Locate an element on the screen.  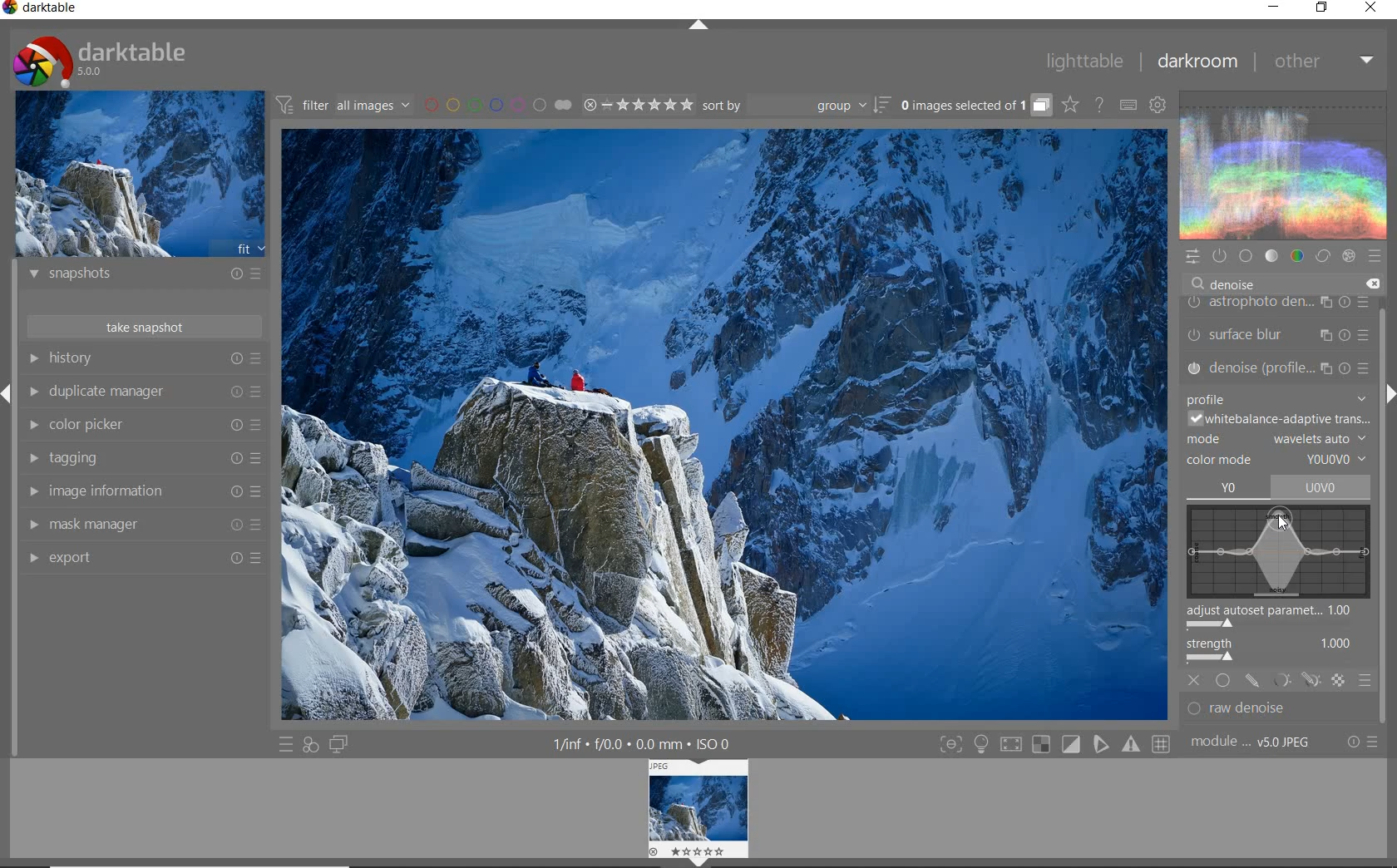
profile is located at coordinates (1276, 395).